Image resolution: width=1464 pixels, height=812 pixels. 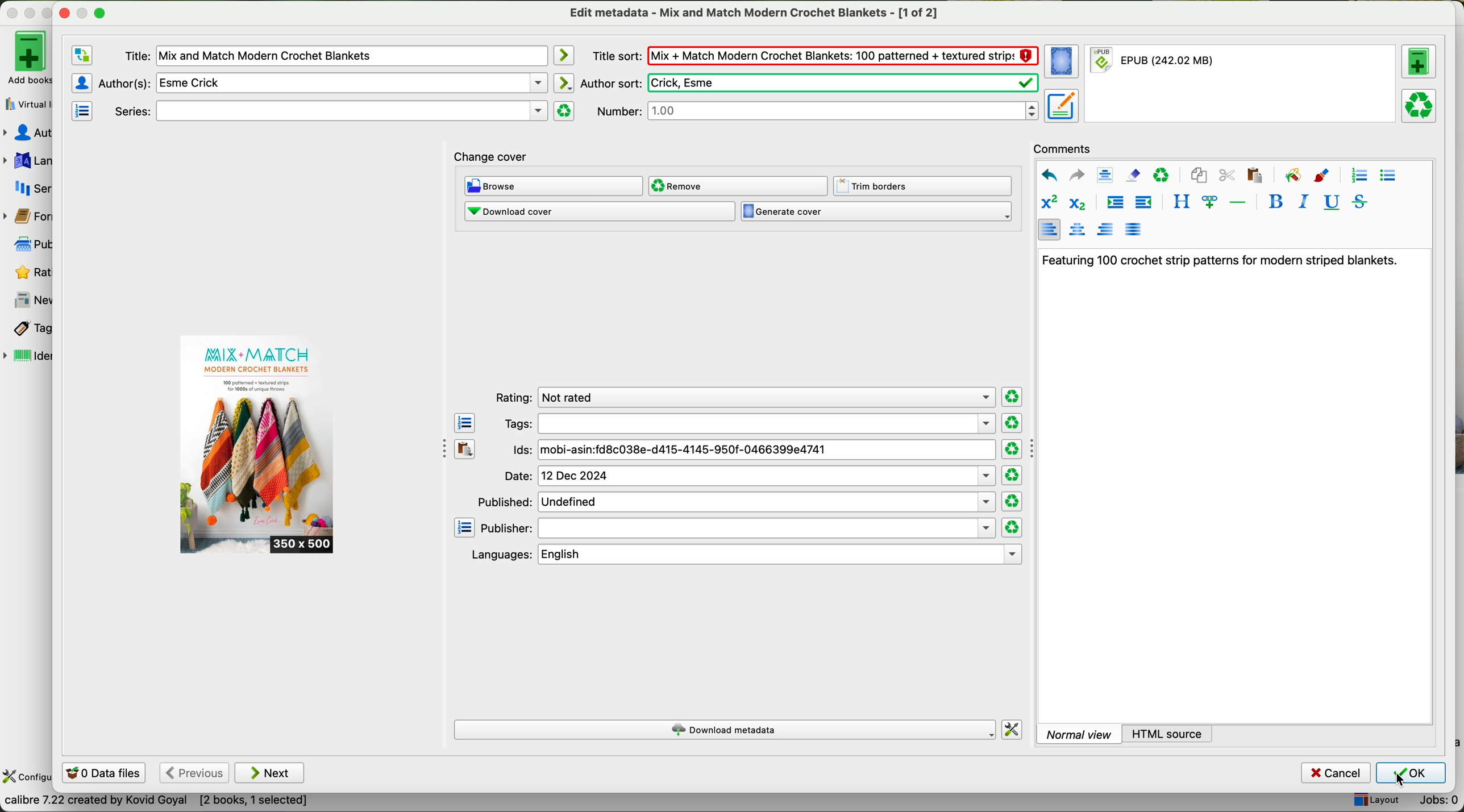 What do you see at coordinates (1358, 201) in the screenshot?
I see `strikeout` at bounding box center [1358, 201].